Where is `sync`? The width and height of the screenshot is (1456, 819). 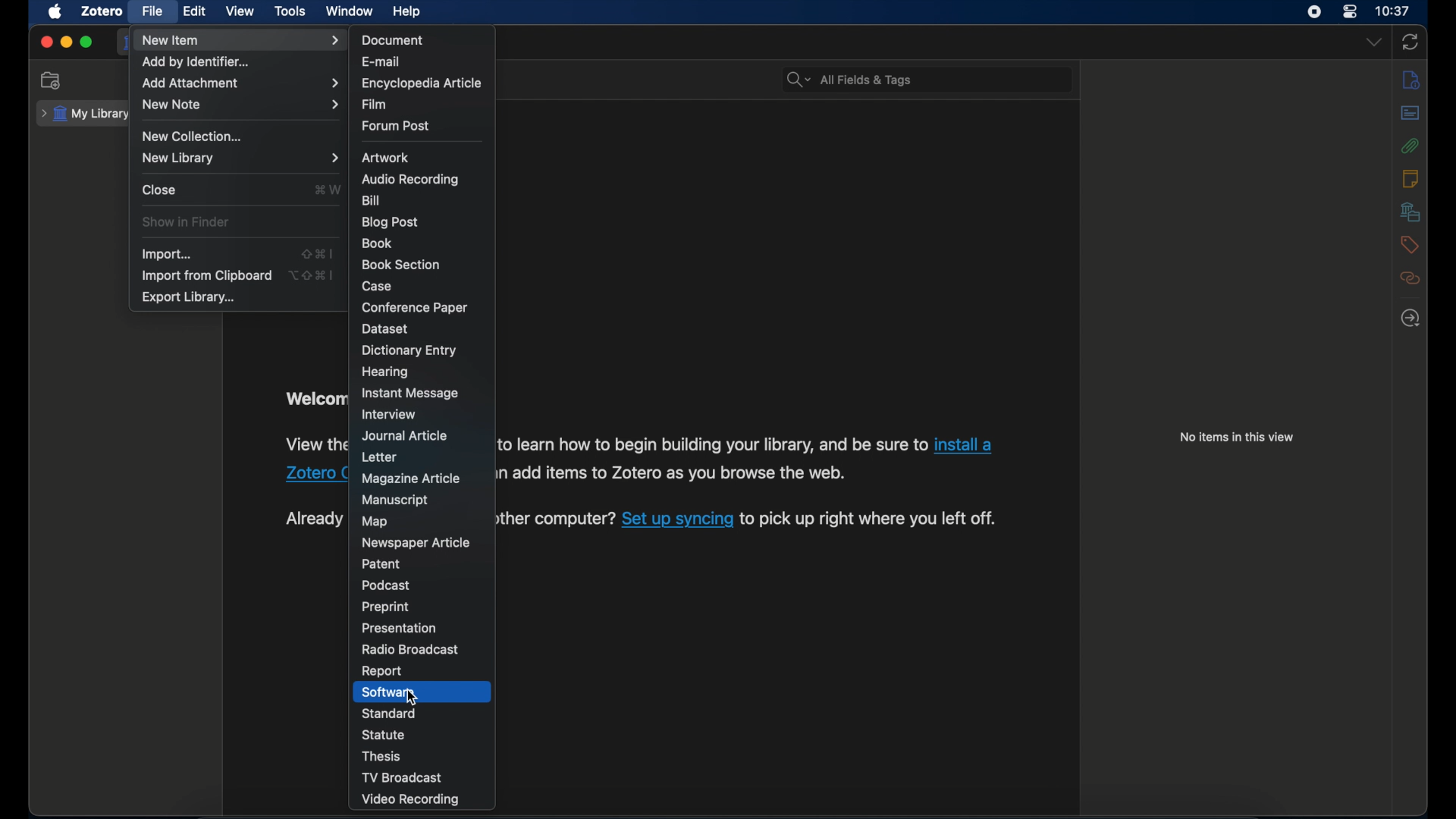 sync is located at coordinates (1410, 42).